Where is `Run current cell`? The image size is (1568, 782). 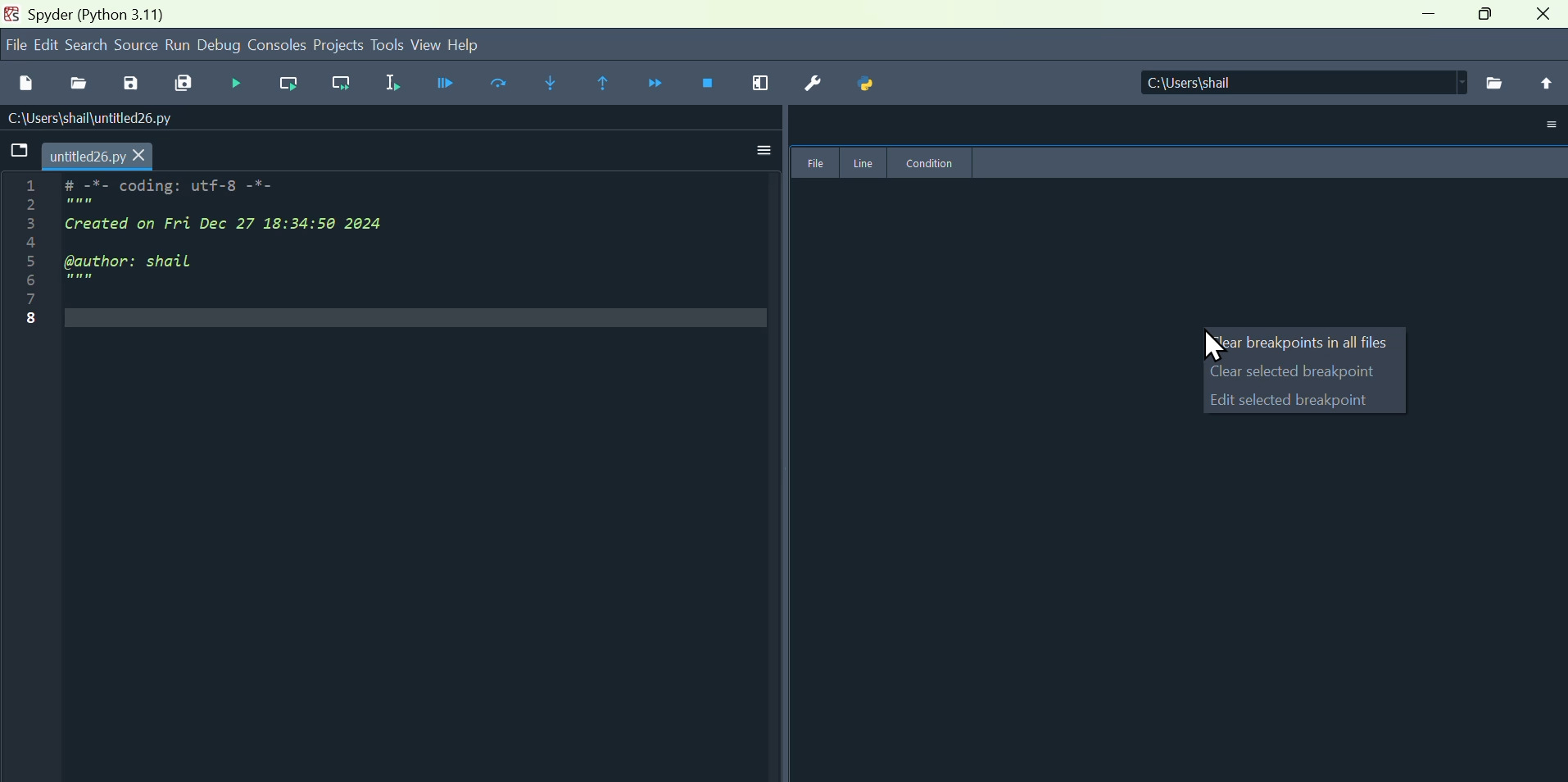 Run current cell is located at coordinates (290, 84).